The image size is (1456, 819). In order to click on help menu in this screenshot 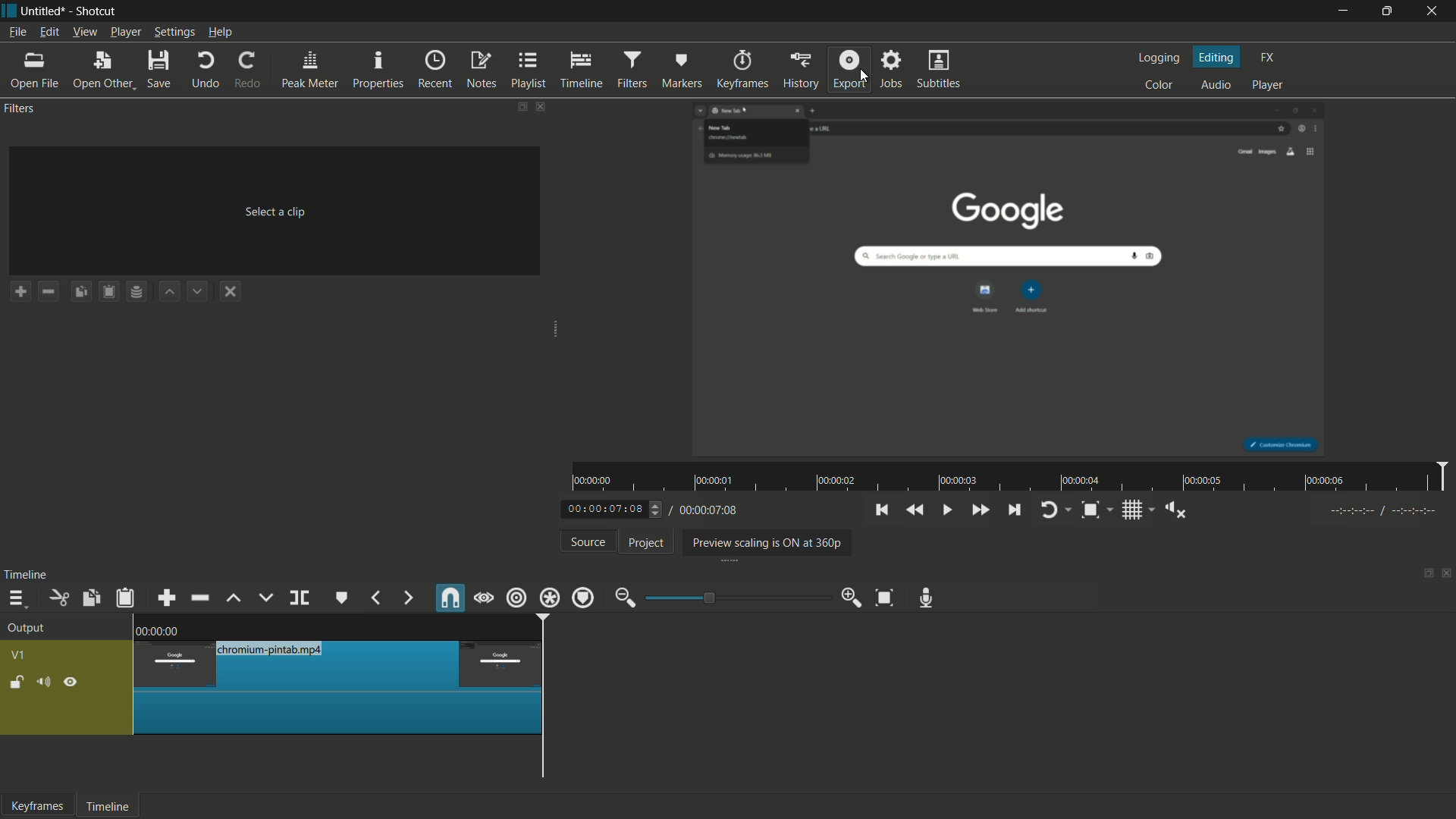, I will do `click(221, 33)`.